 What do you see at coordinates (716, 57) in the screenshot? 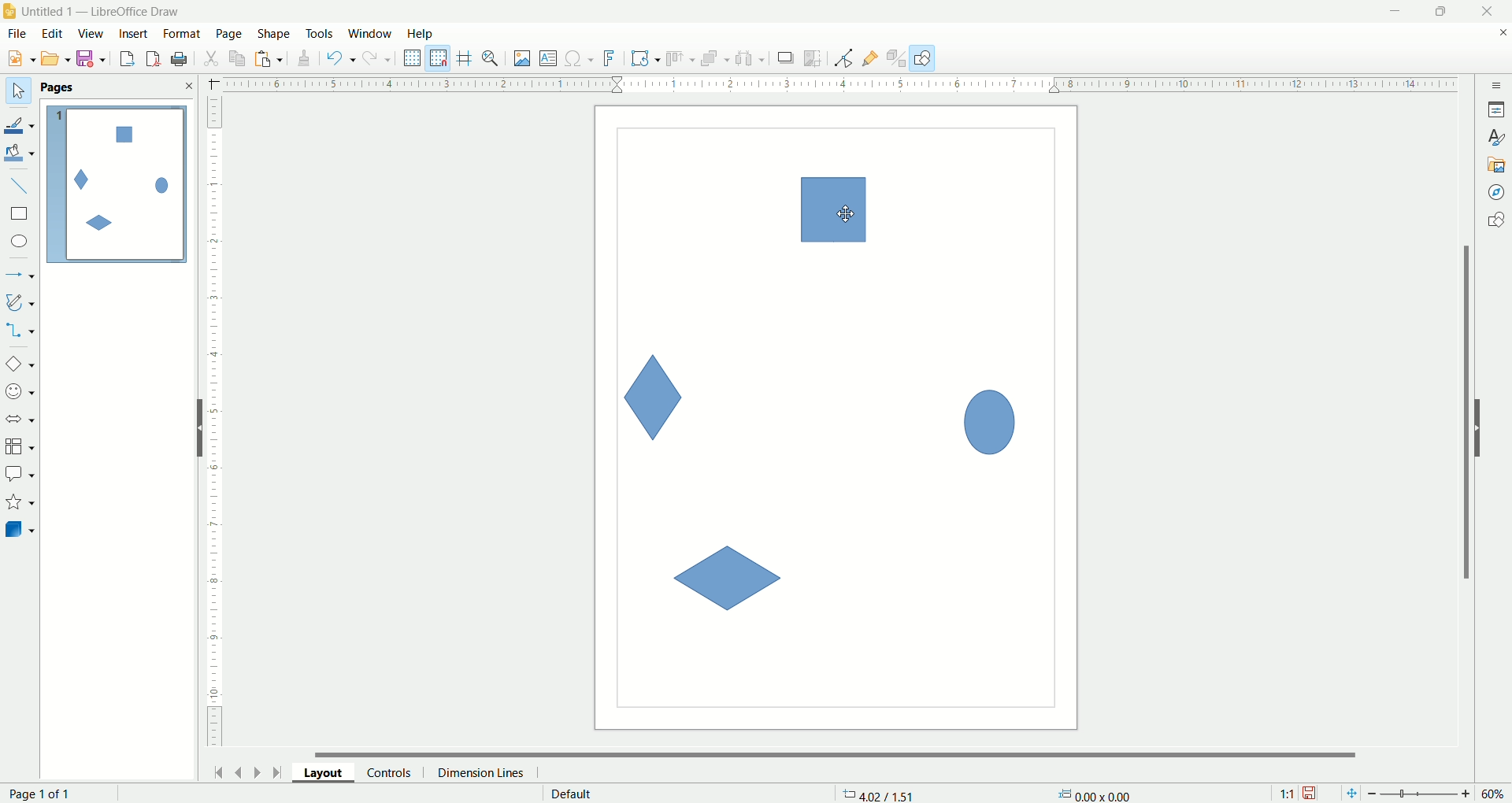
I see `arrange` at bounding box center [716, 57].